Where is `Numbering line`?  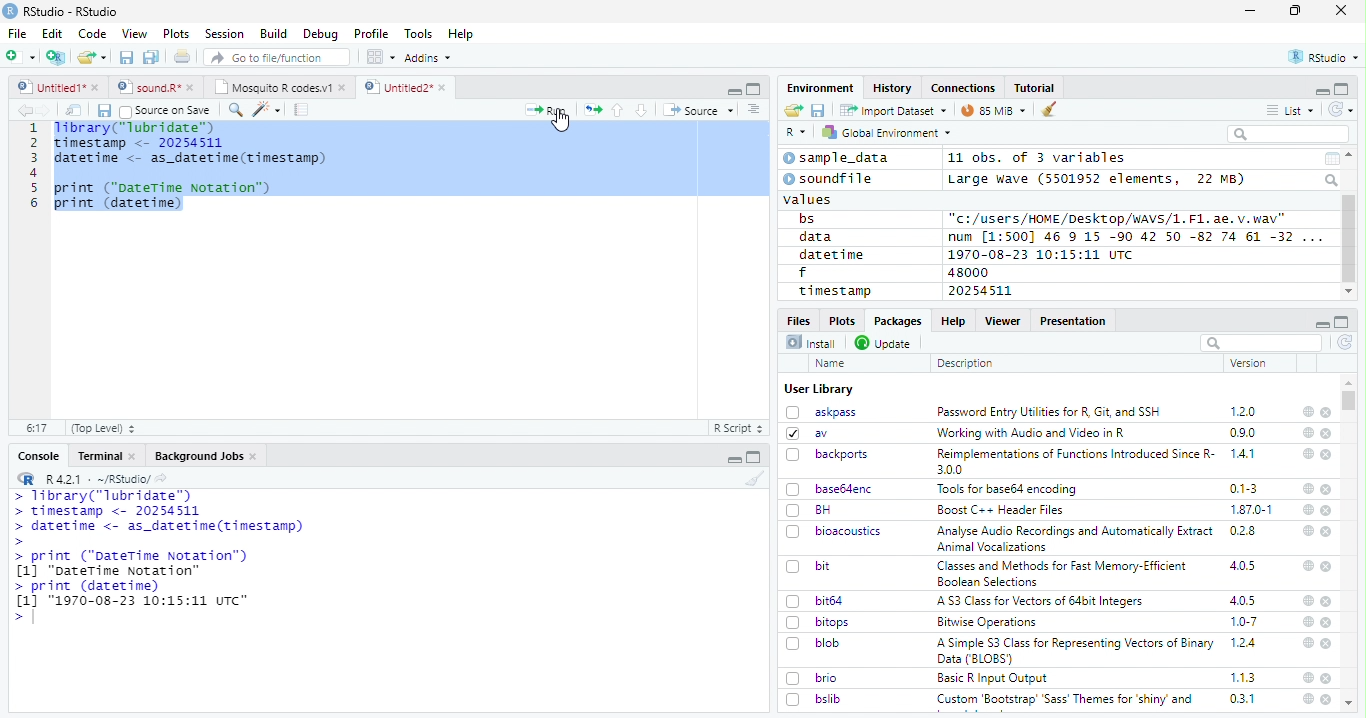 Numbering line is located at coordinates (32, 167).